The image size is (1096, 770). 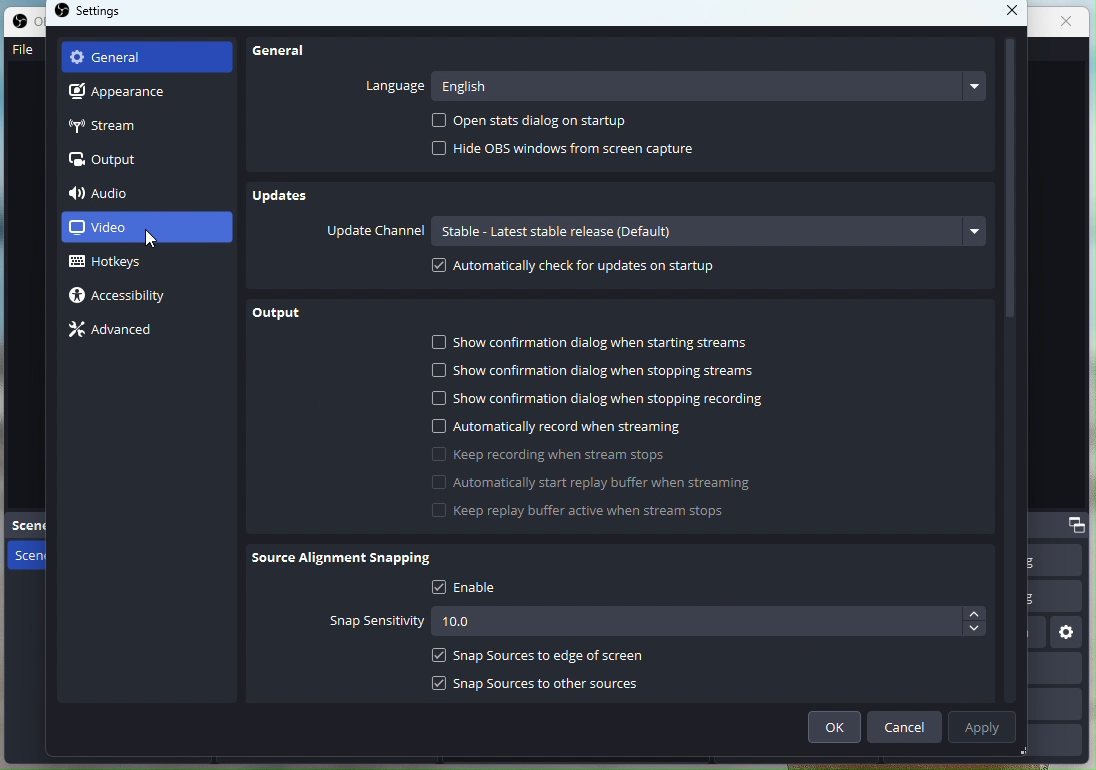 What do you see at coordinates (528, 120) in the screenshot?
I see `Open stats dialog on startup` at bounding box center [528, 120].